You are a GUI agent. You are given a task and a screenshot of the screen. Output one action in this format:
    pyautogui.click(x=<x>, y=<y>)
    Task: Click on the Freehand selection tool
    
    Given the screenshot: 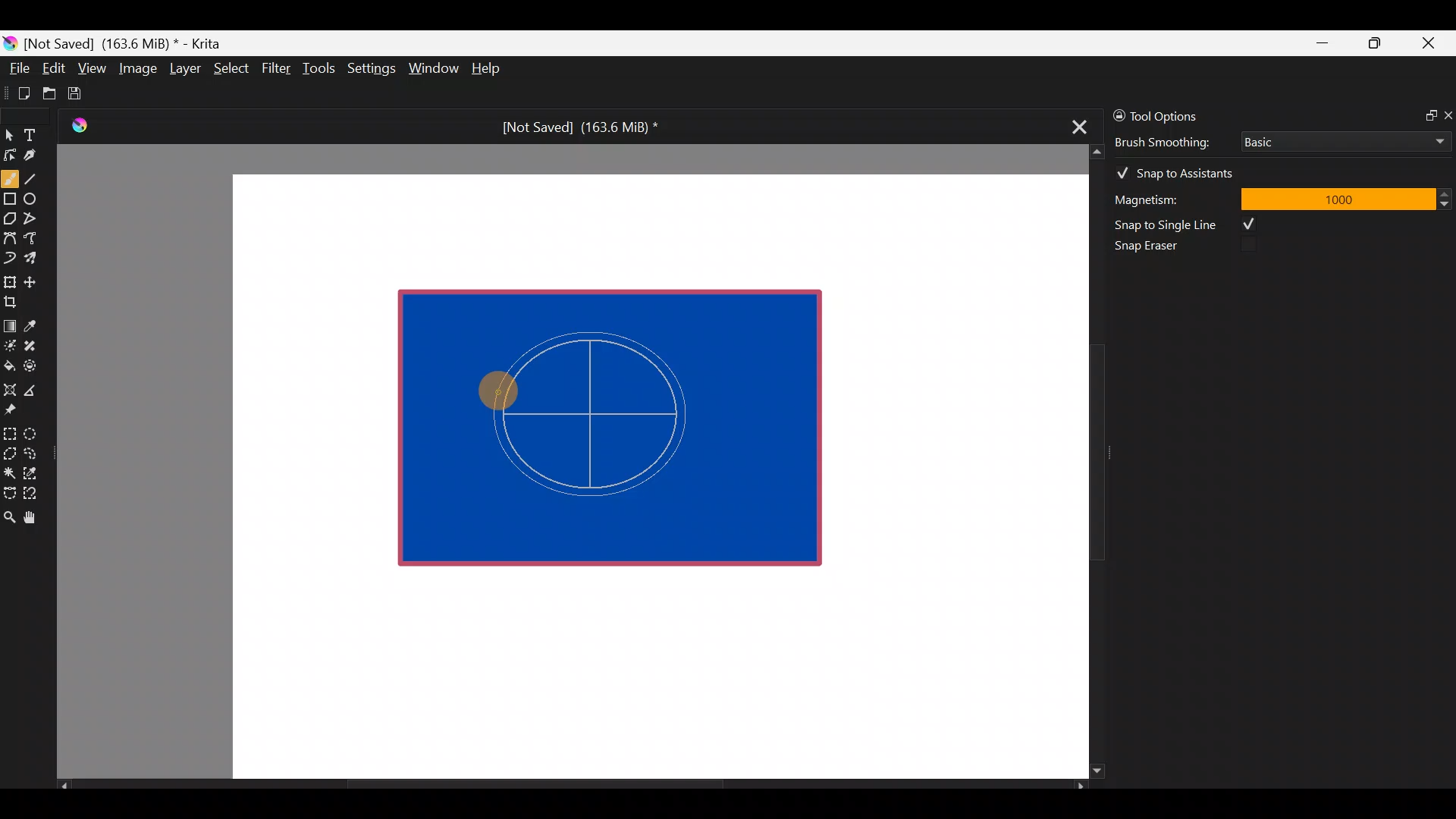 What is the action you would take?
    pyautogui.click(x=33, y=452)
    